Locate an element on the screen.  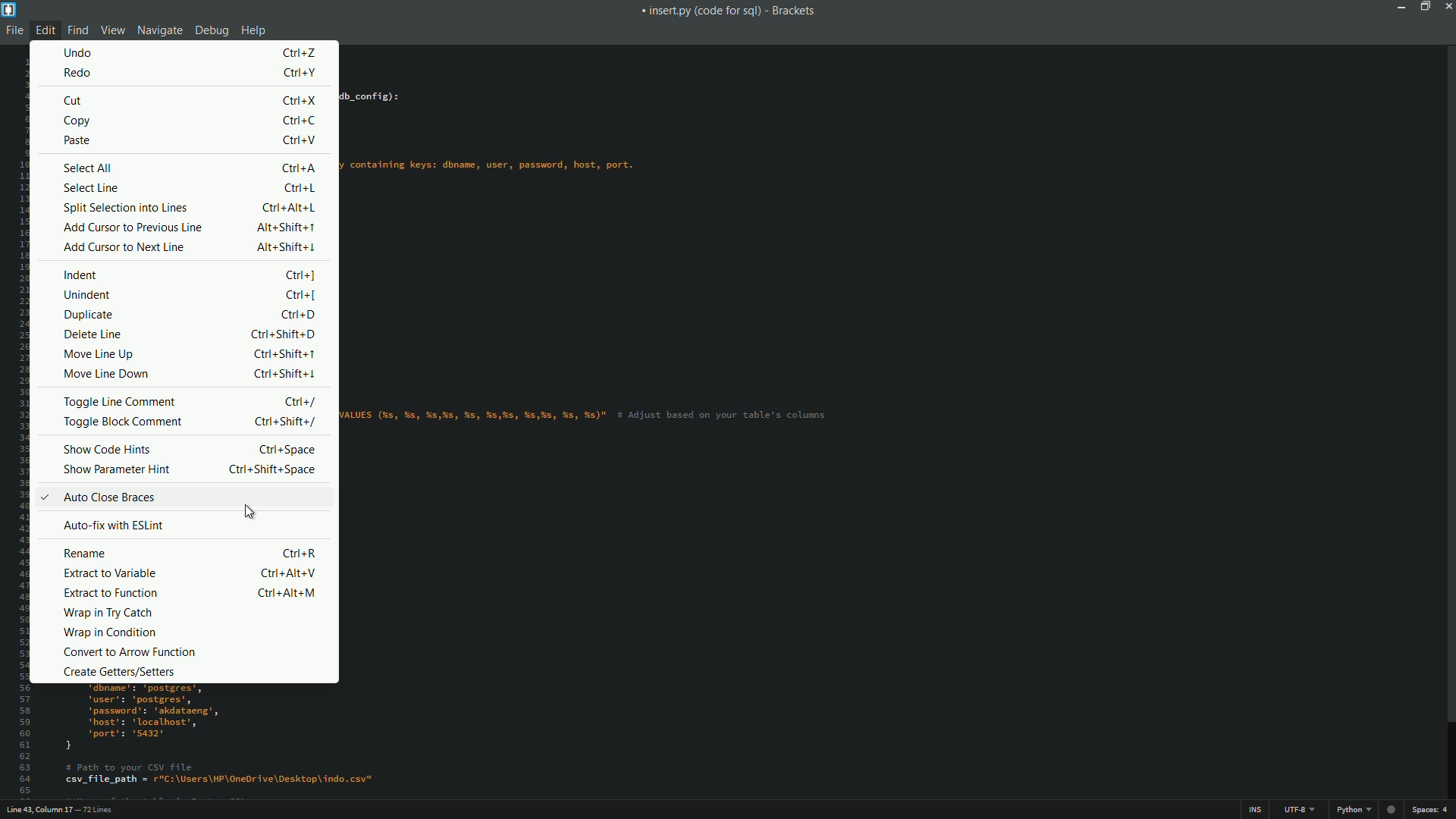
app icon is located at coordinates (10, 10).